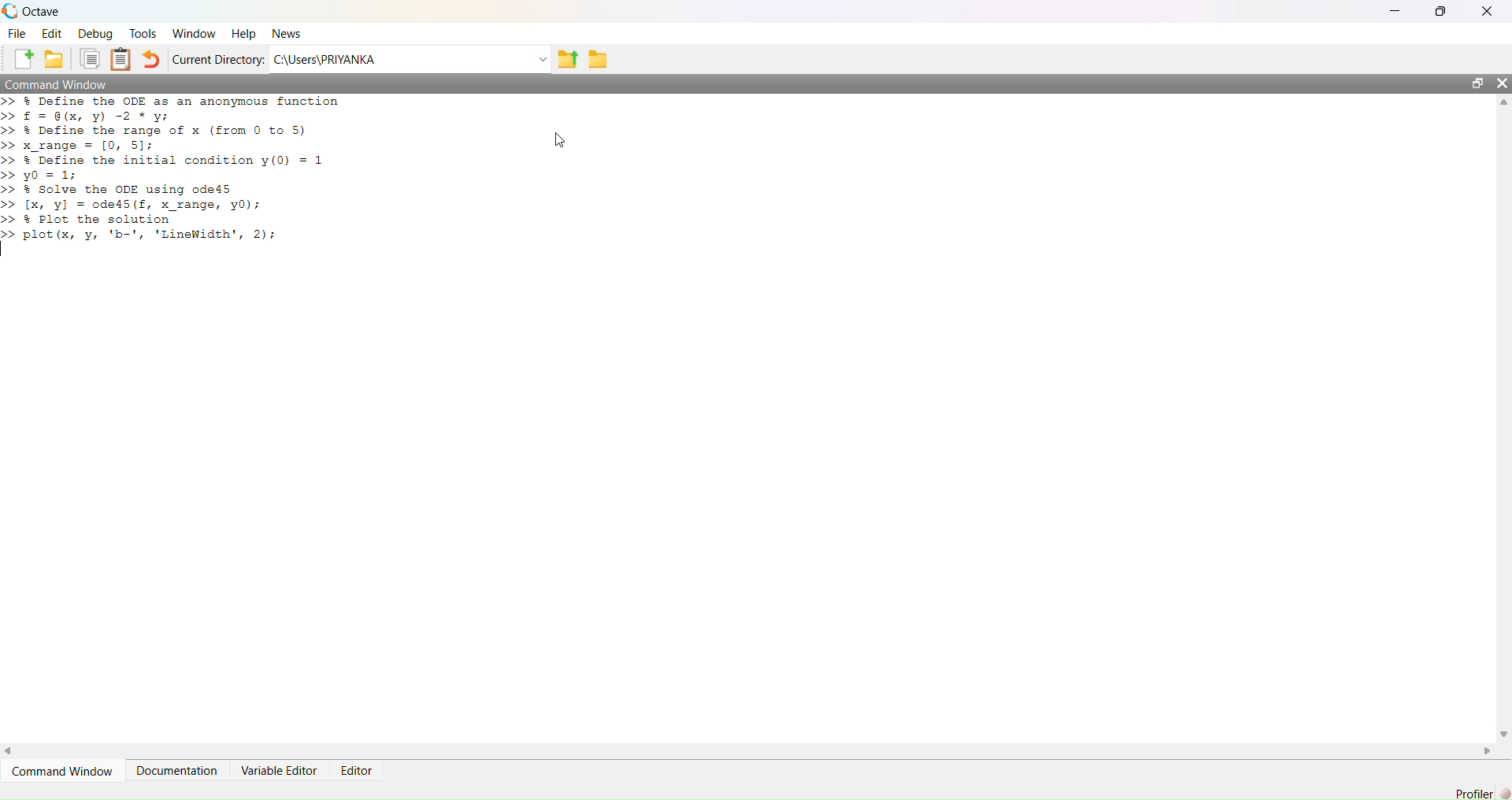 The image size is (1512, 800). What do you see at coordinates (561, 141) in the screenshot?
I see `cursor` at bounding box center [561, 141].